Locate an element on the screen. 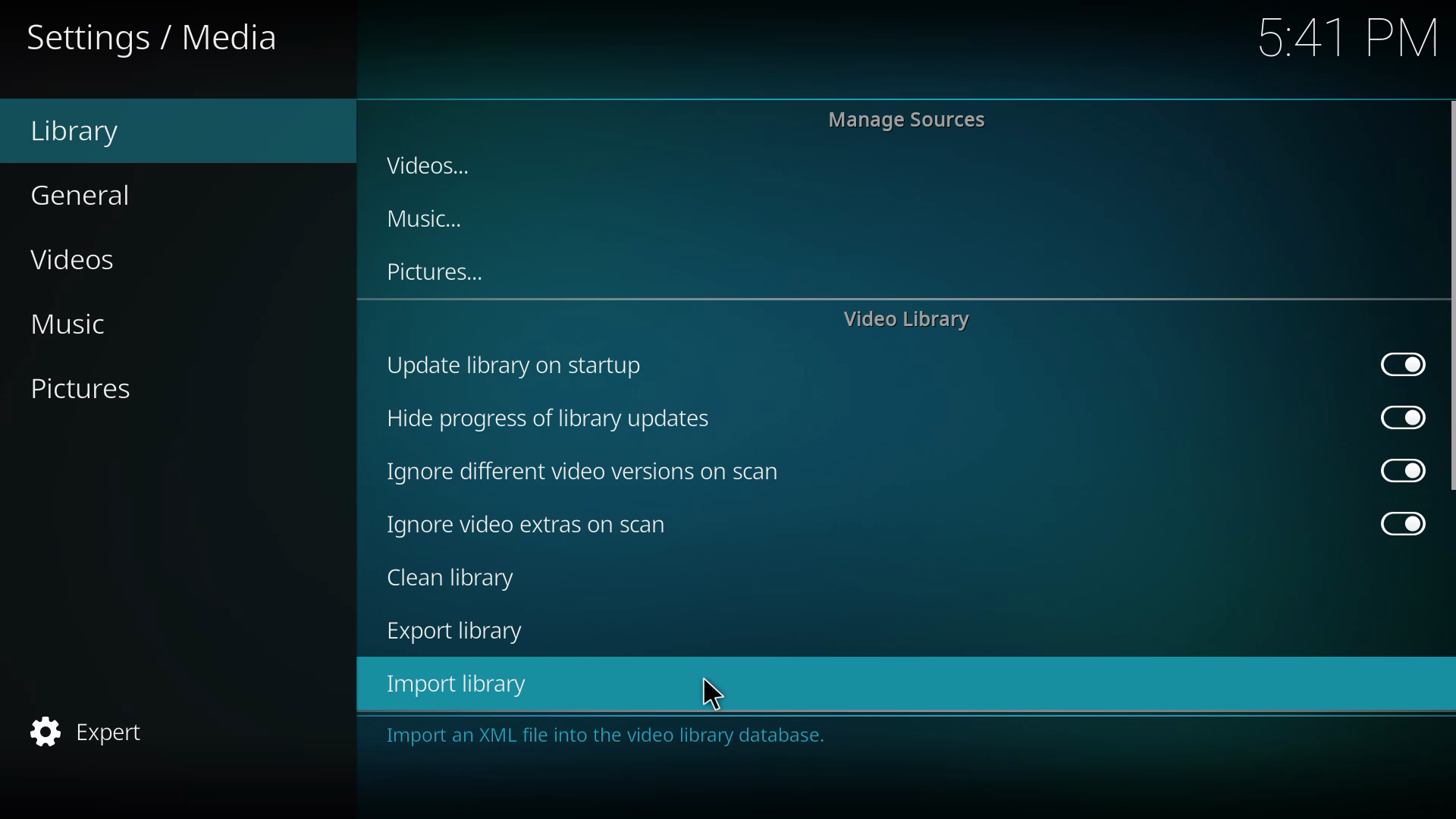  video library is located at coordinates (897, 321).